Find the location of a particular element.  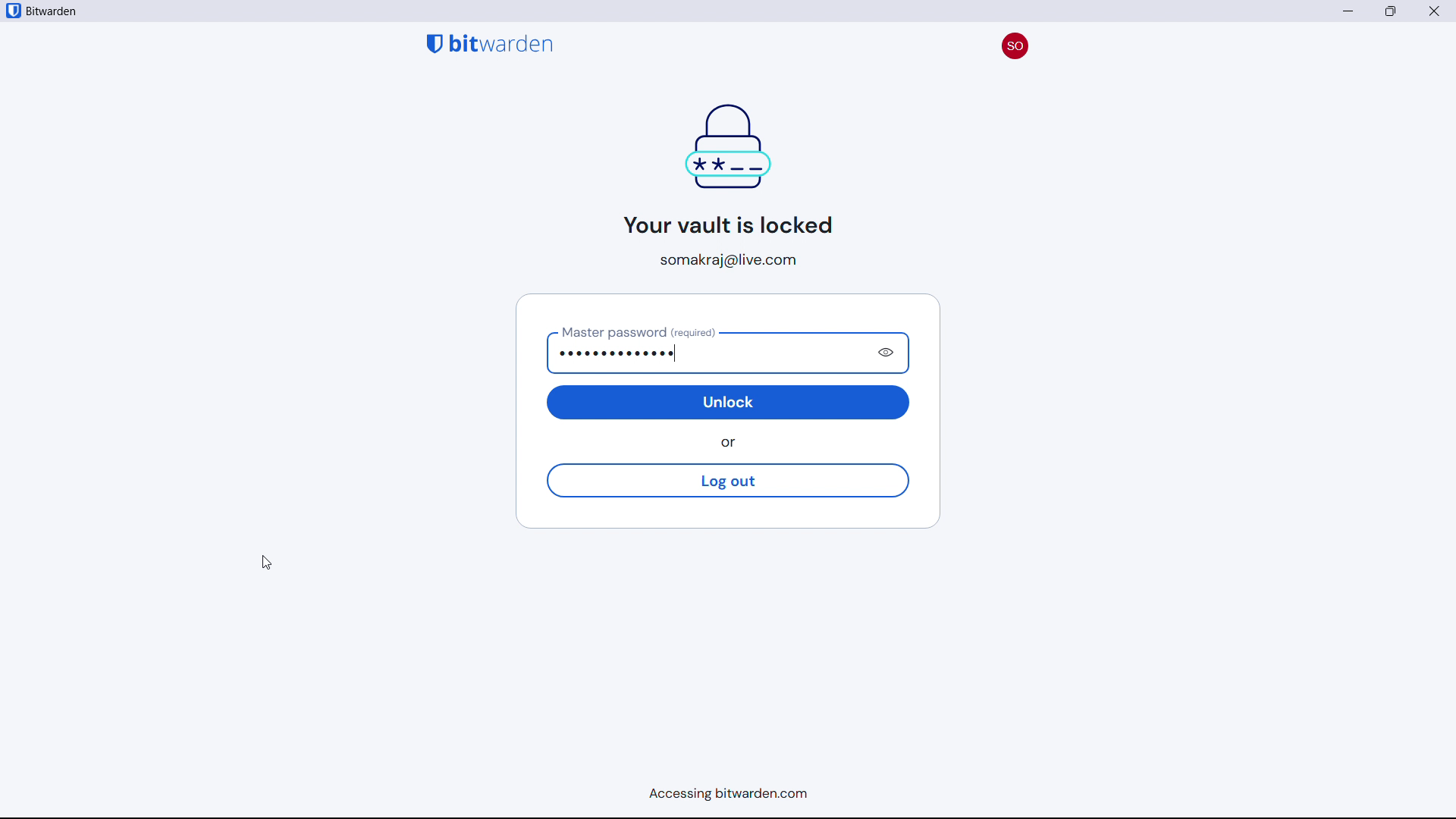

cursor is located at coordinates (266, 563).